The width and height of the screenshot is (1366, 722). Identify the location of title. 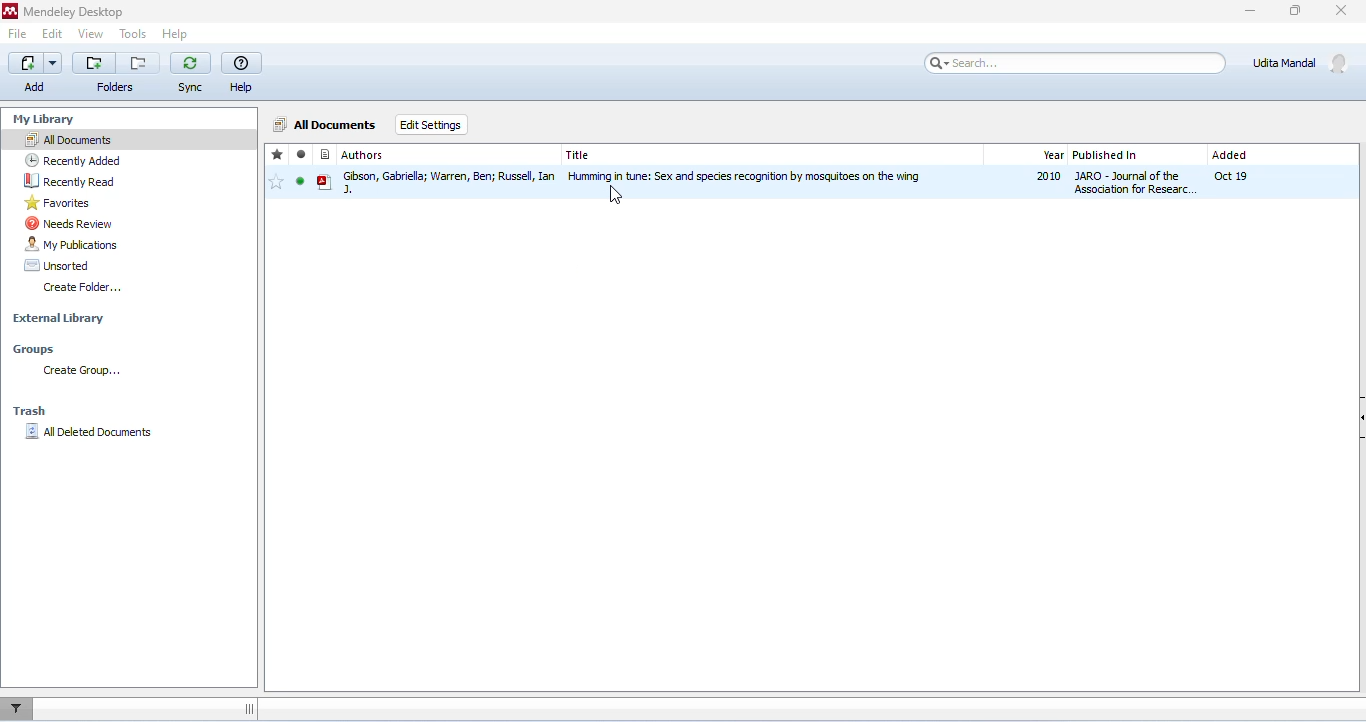
(579, 156).